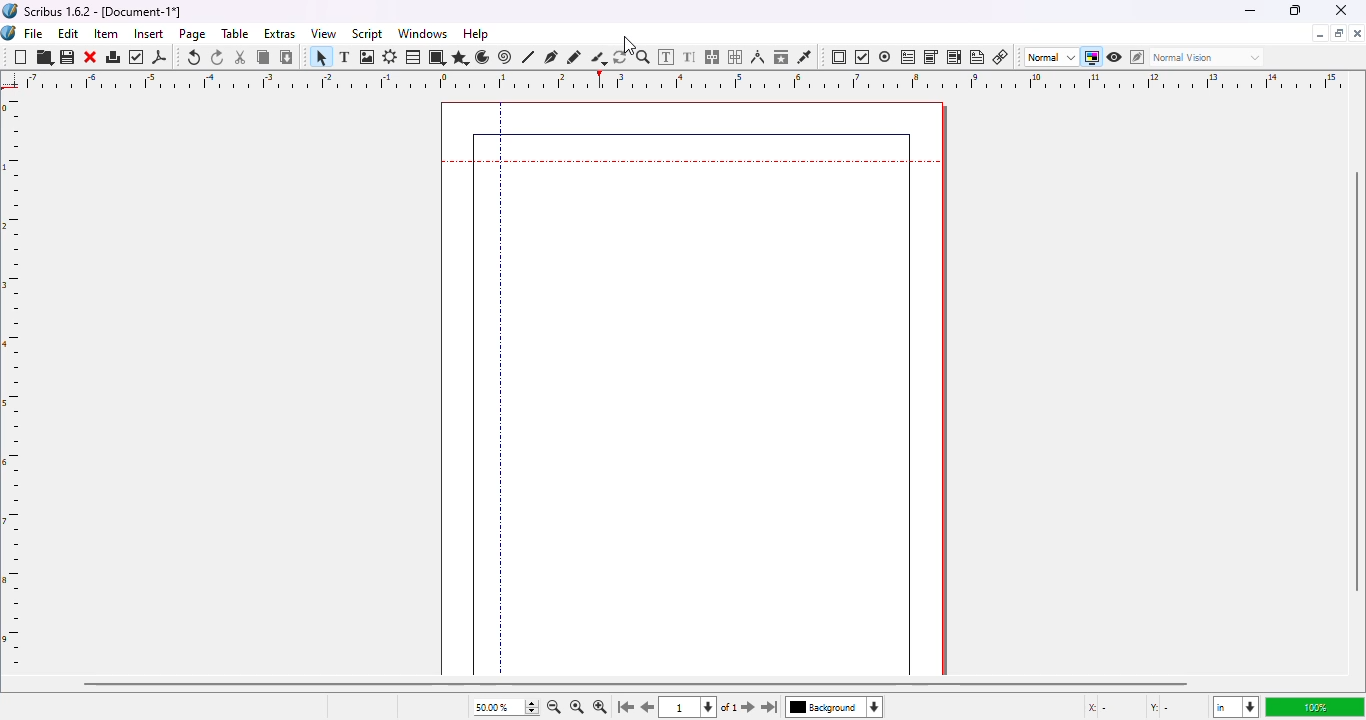  Describe the element at coordinates (107, 34) in the screenshot. I see `item` at that location.